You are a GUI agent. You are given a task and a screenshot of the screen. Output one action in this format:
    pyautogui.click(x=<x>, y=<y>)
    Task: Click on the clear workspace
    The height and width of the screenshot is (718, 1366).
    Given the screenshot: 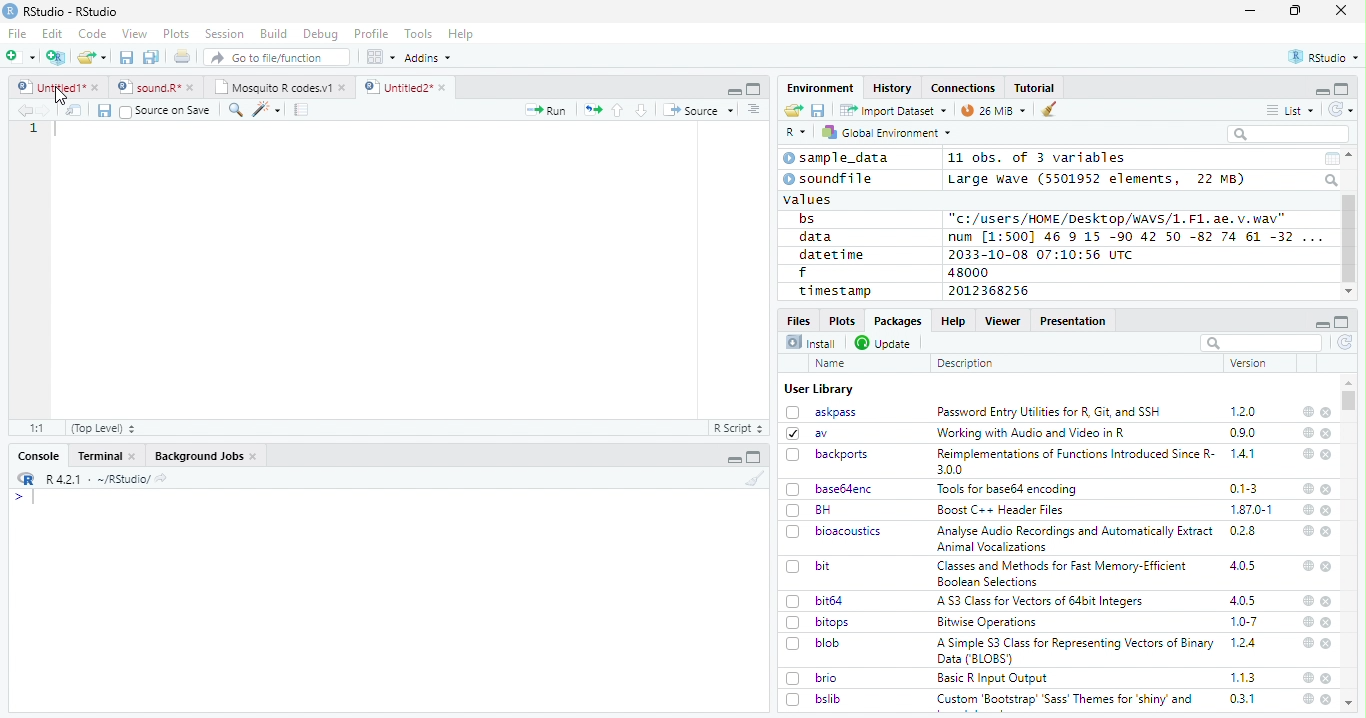 What is the action you would take?
    pyautogui.click(x=1050, y=110)
    